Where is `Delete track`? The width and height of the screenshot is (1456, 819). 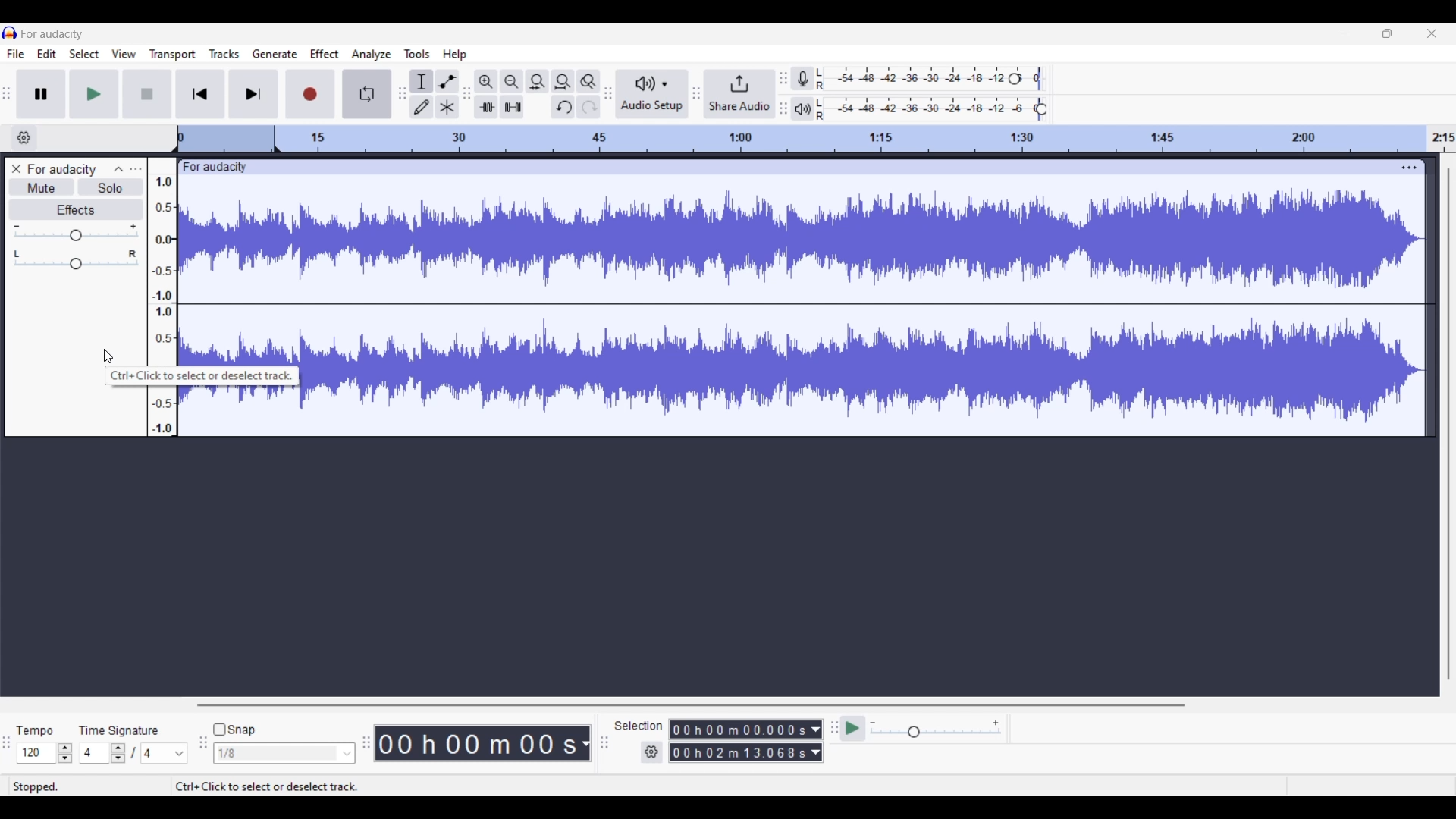
Delete track is located at coordinates (18, 169).